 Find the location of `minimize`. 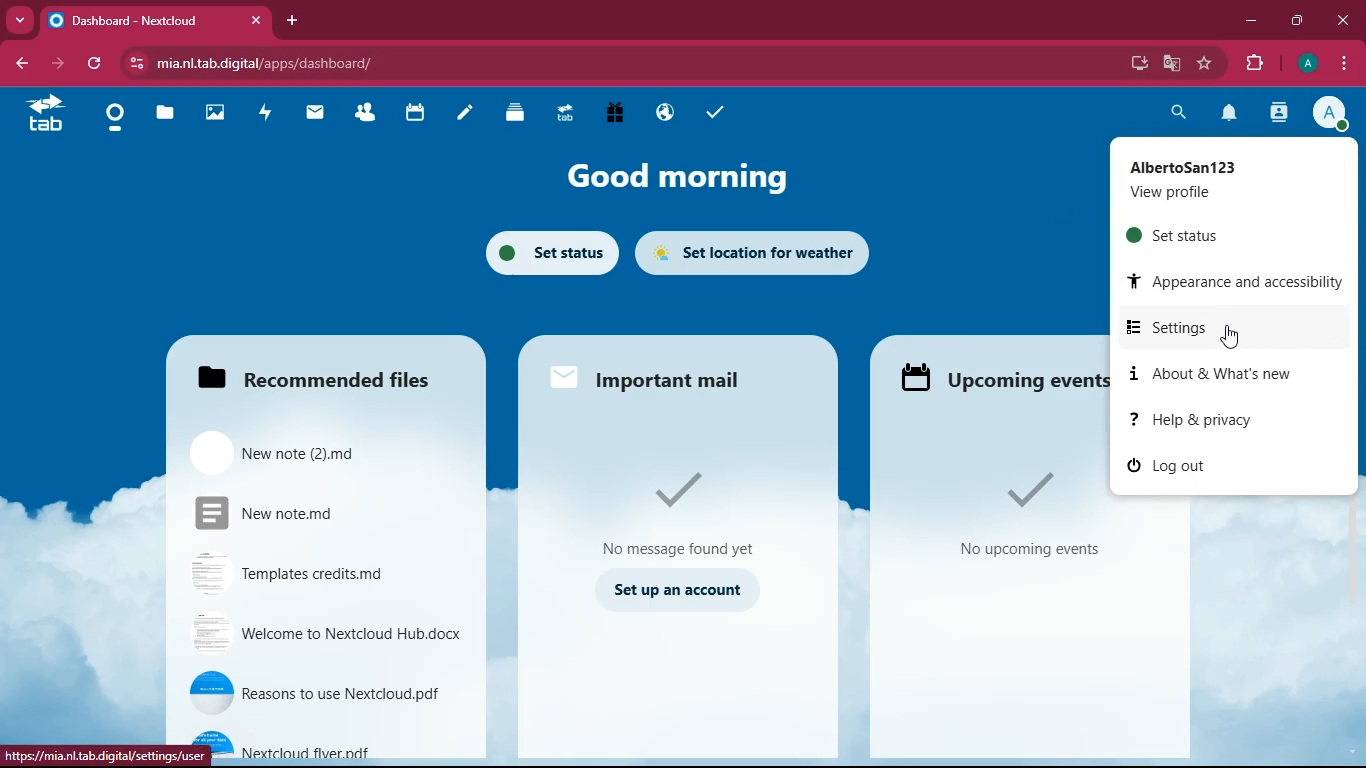

minimize is located at coordinates (1250, 22).